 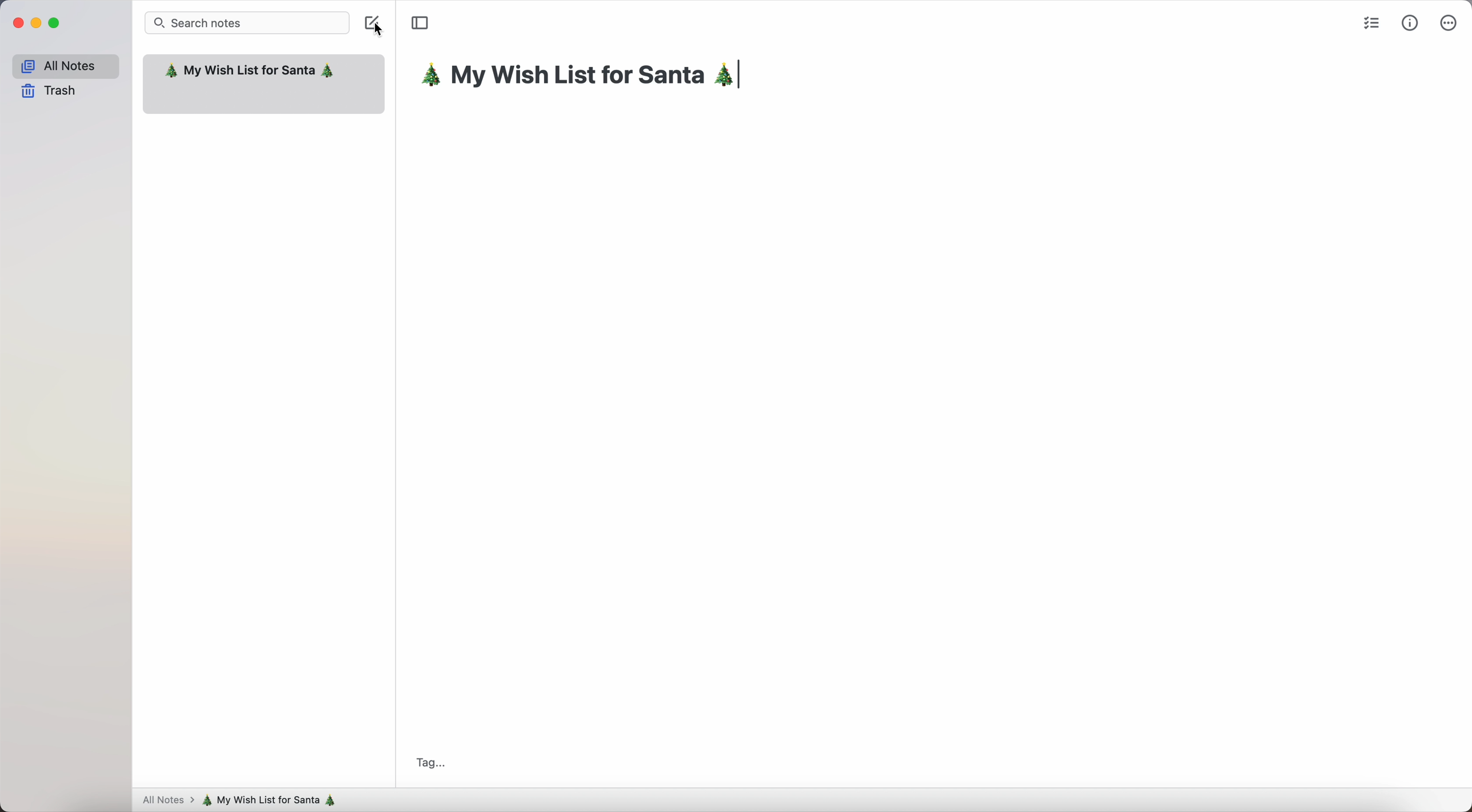 I want to click on cursor, so click(x=374, y=30).